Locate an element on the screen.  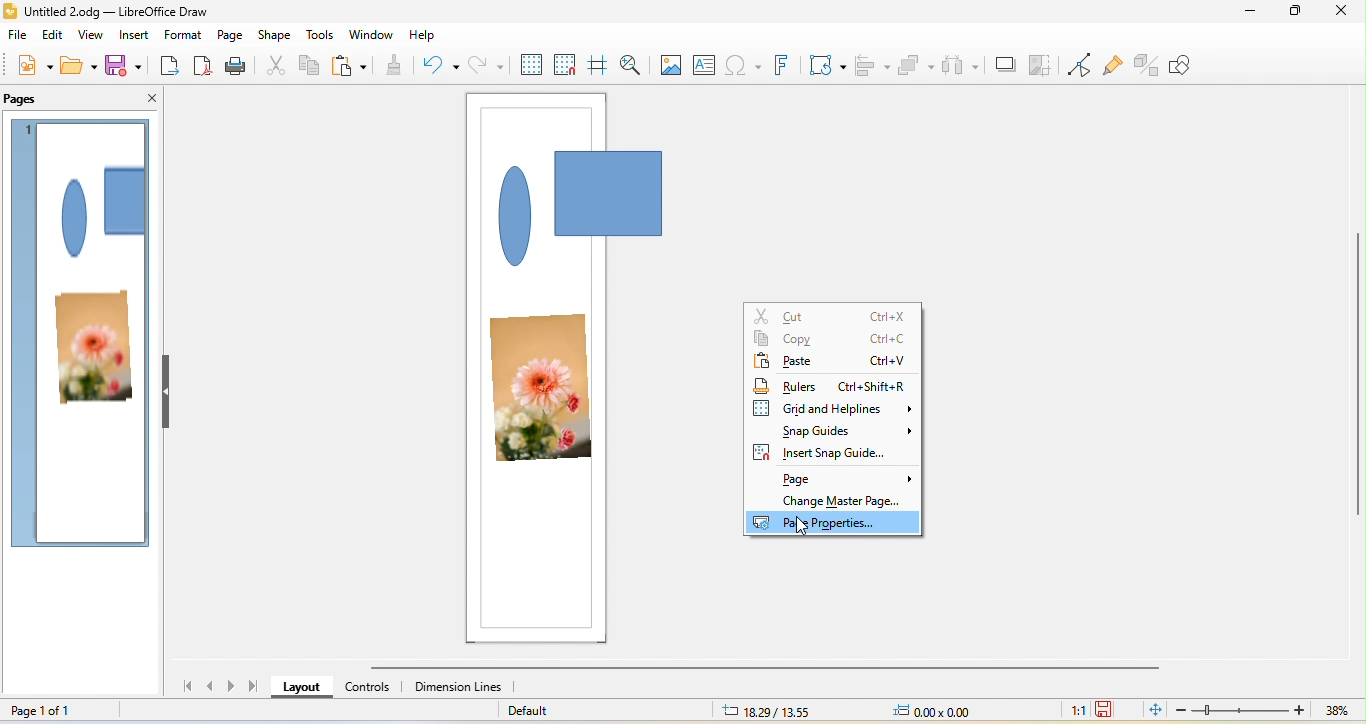
print is located at coordinates (240, 66).